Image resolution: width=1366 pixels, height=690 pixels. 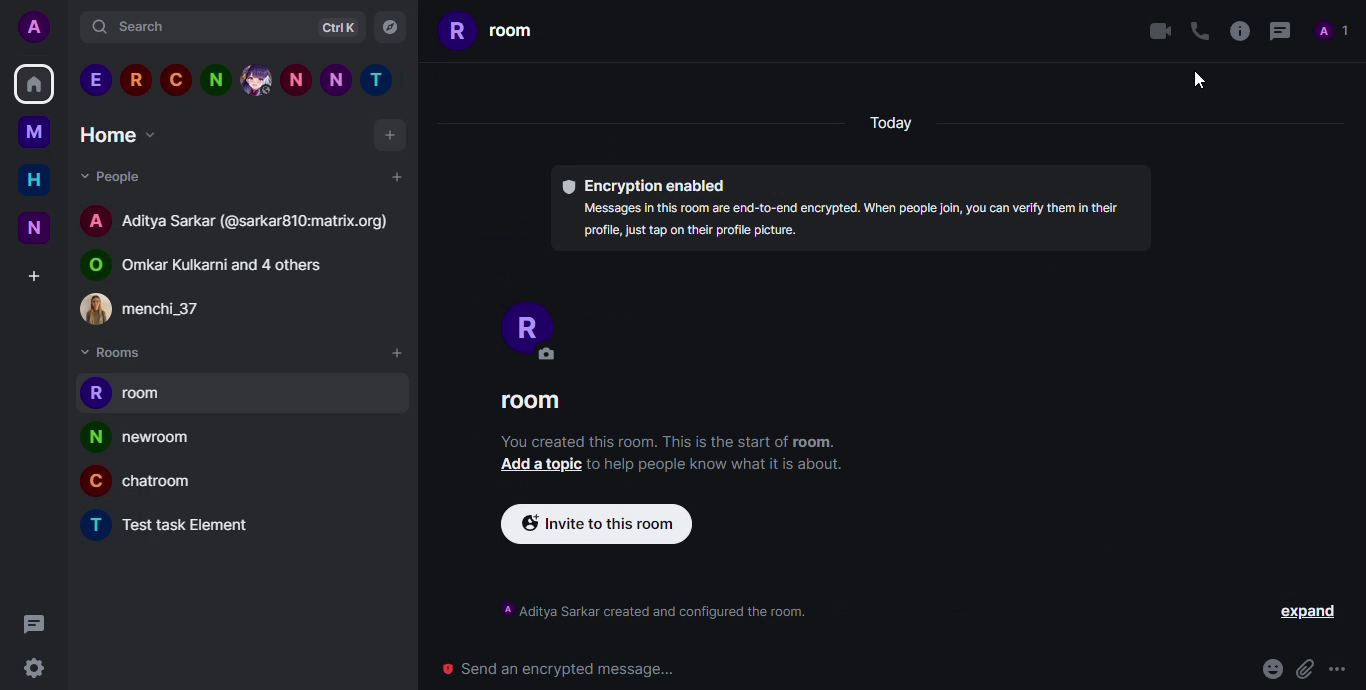 I want to click on edit, so click(x=544, y=355).